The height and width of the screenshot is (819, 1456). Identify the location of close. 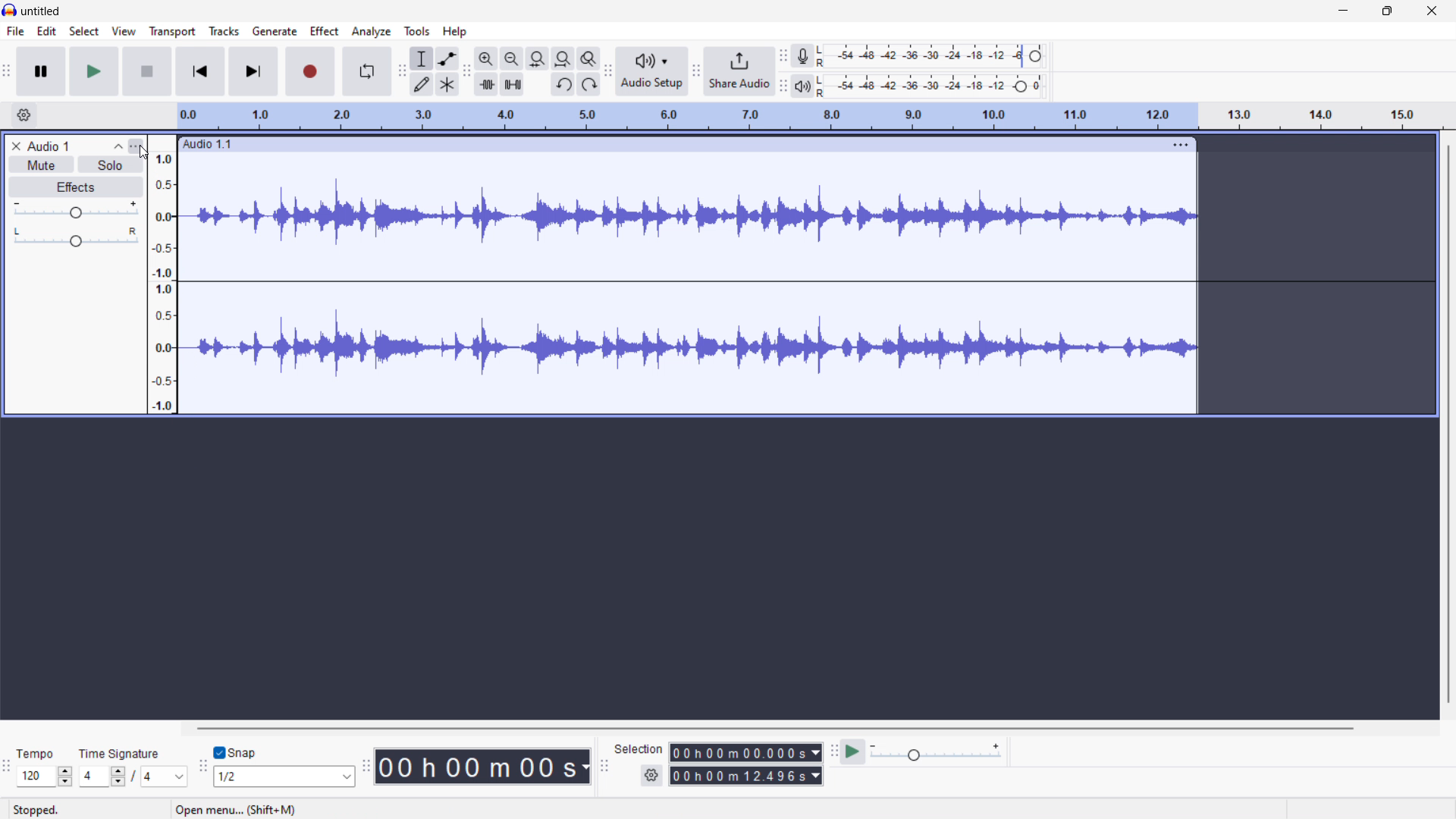
(1431, 11).